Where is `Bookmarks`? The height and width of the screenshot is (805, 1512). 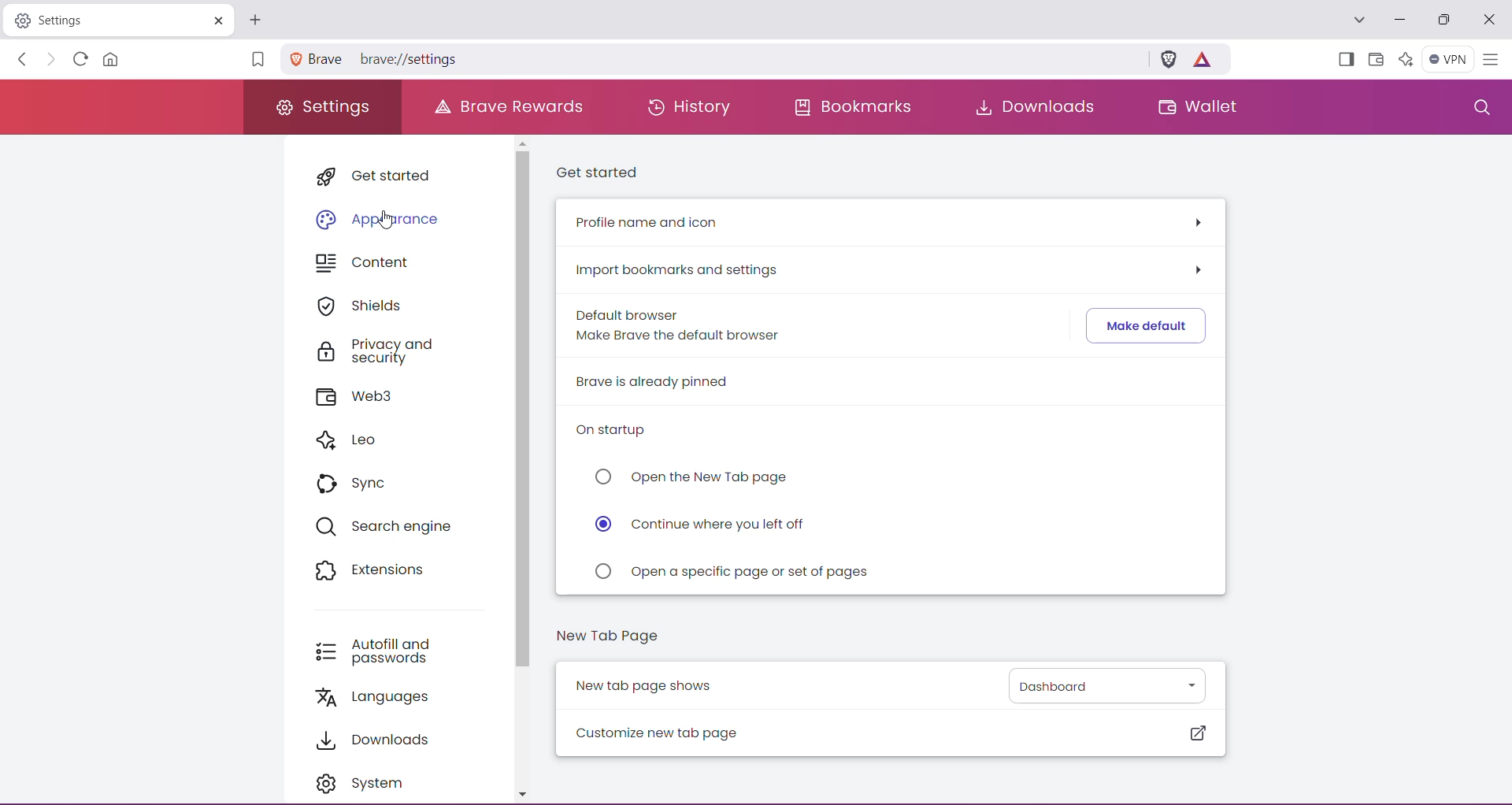
Bookmarks is located at coordinates (854, 106).